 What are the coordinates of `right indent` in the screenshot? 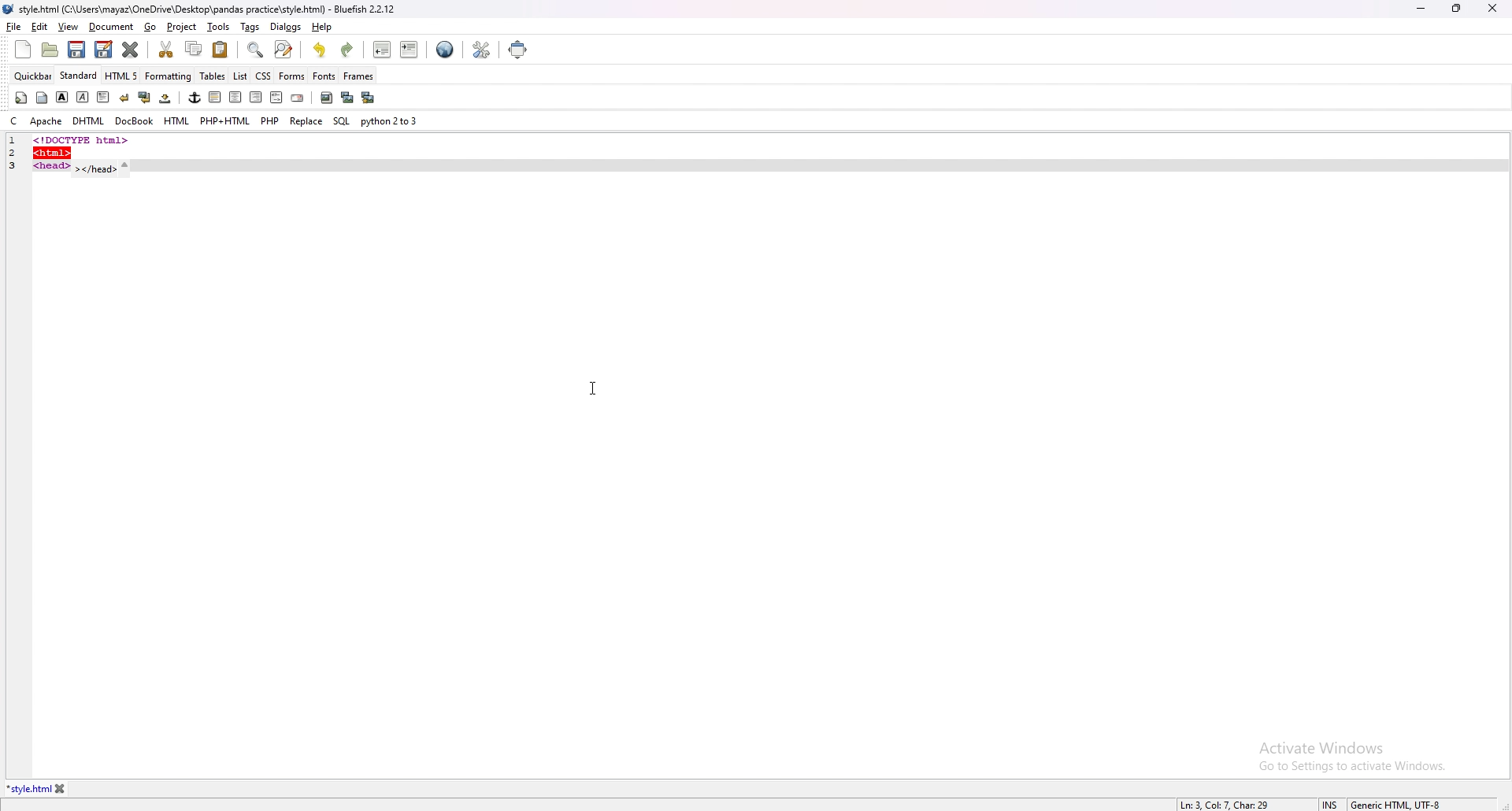 It's located at (254, 97).